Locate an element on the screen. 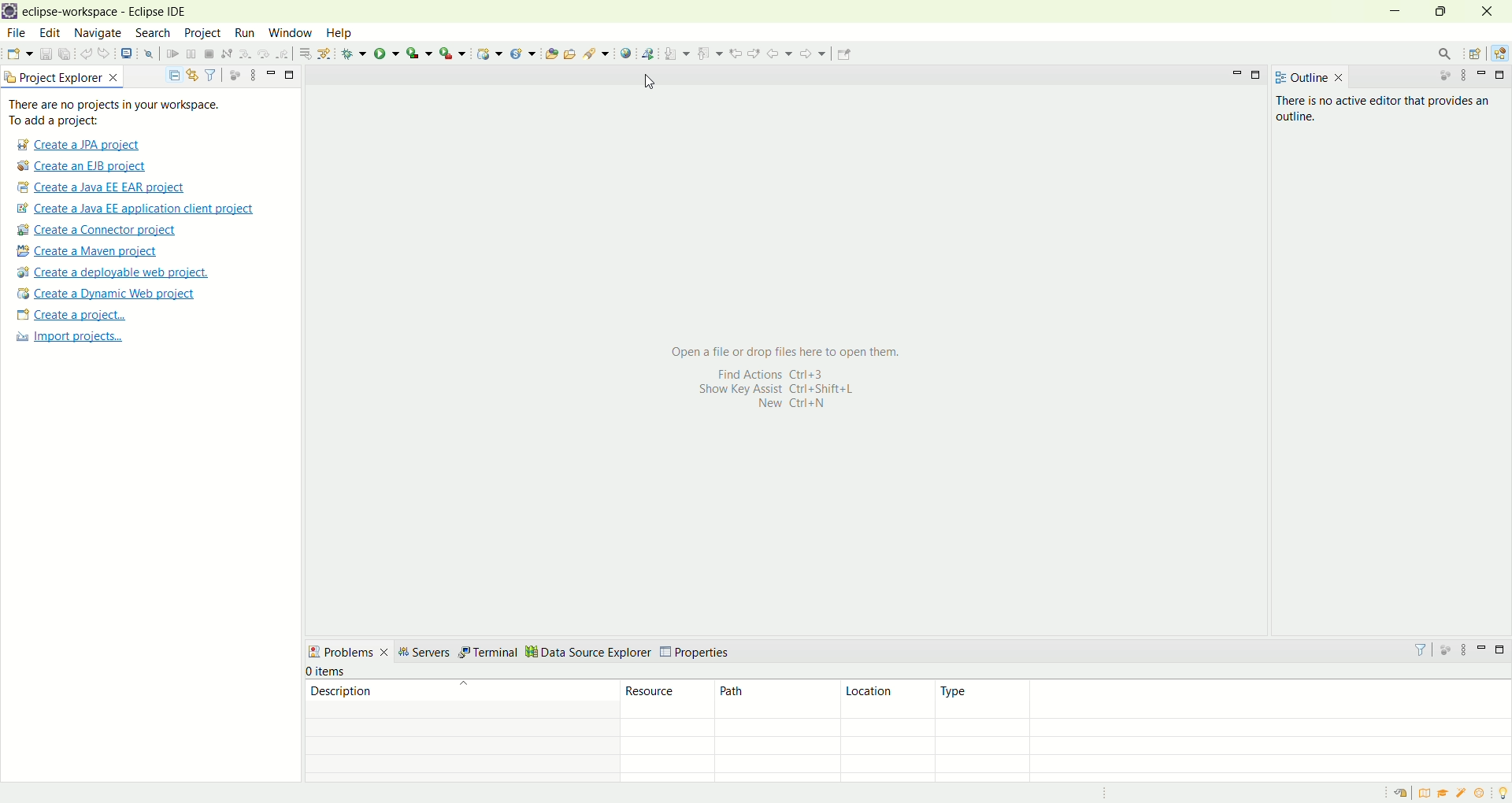 The image size is (1512, 803). filter is located at coordinates (210, 74).